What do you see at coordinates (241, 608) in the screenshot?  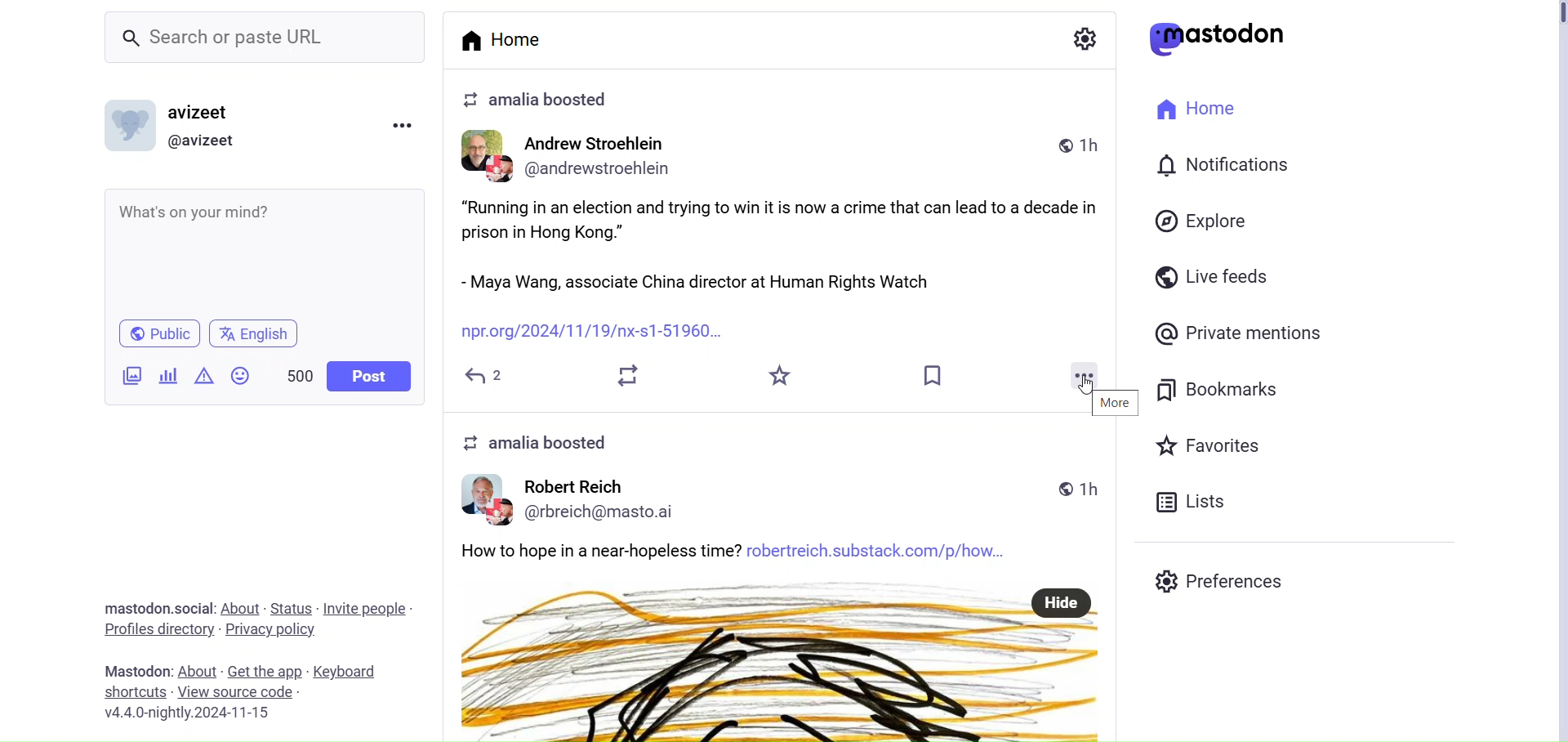 I see `About` at bounding box center [241, 608].